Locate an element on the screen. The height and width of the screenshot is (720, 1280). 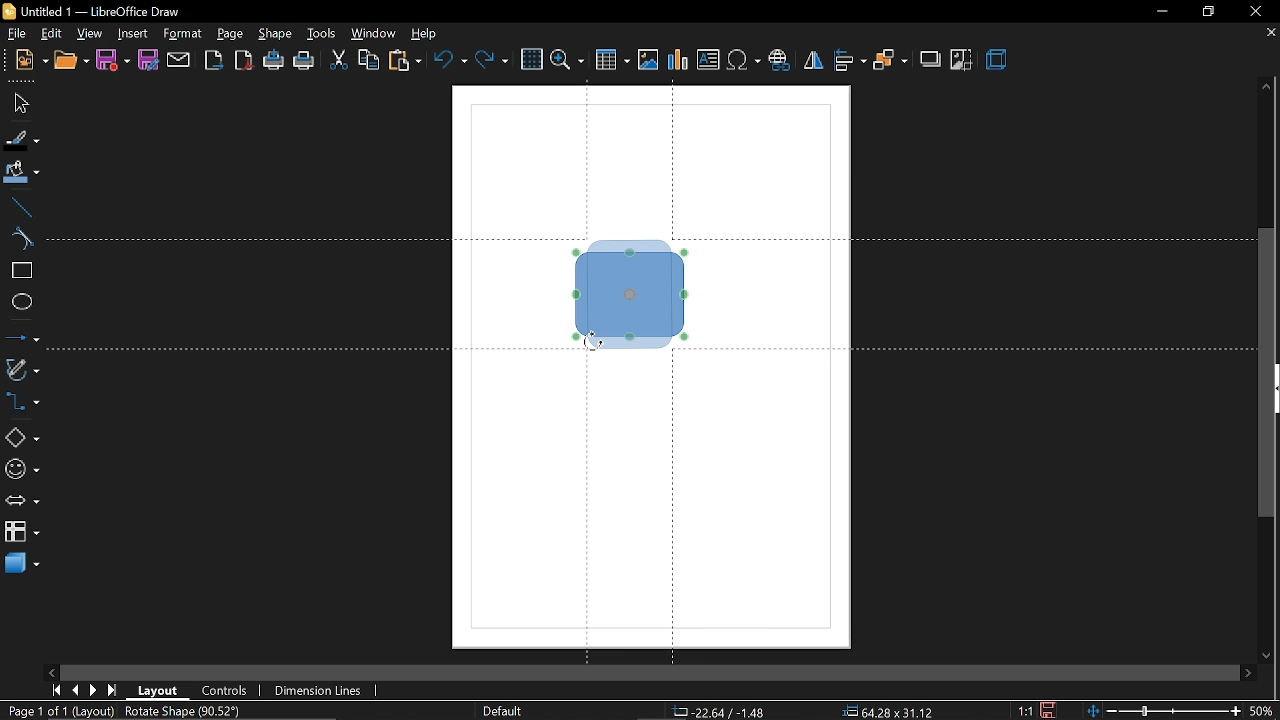
layout is located at coordinates (158, 689).